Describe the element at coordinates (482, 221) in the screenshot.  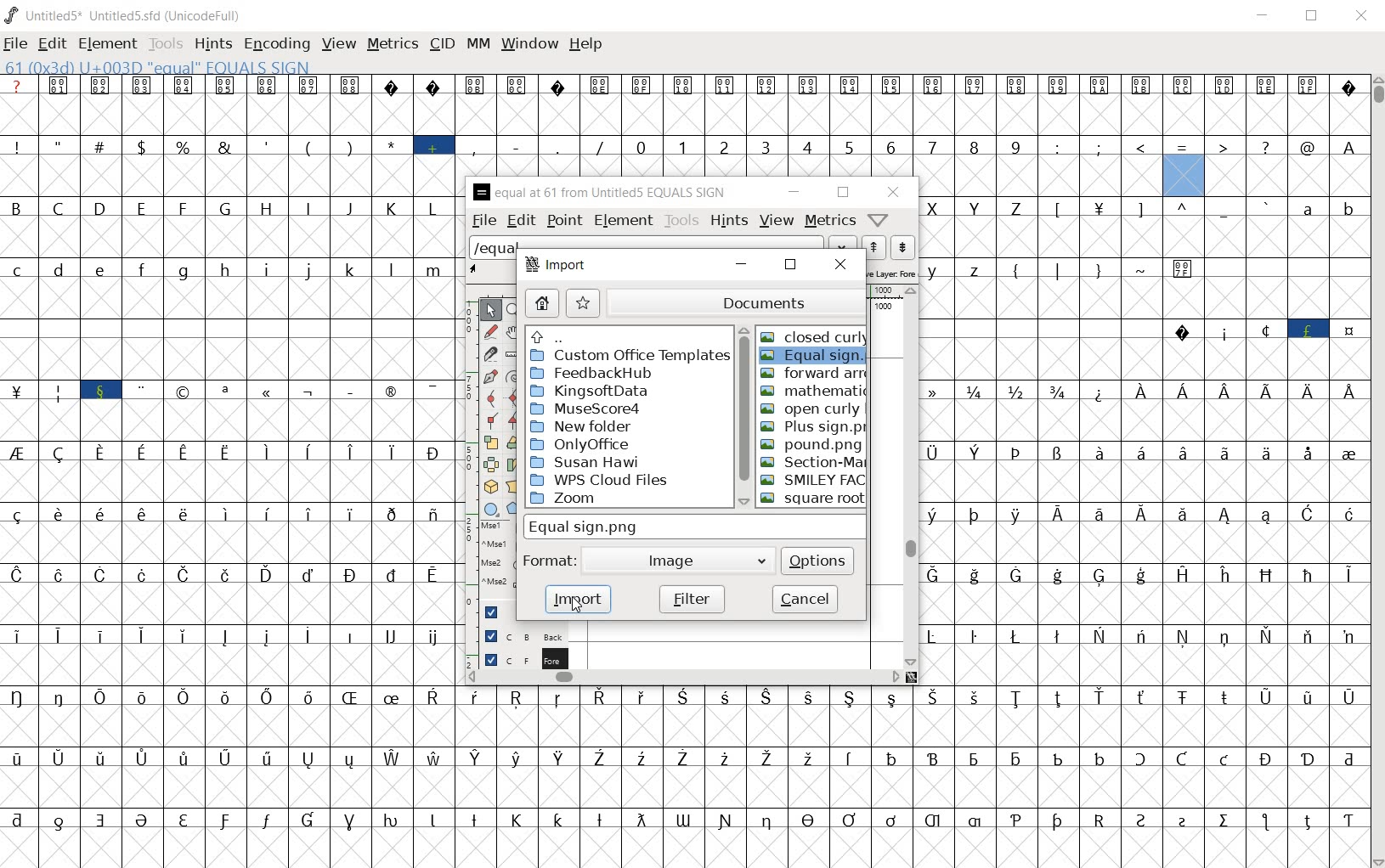
I see `file` at that location.